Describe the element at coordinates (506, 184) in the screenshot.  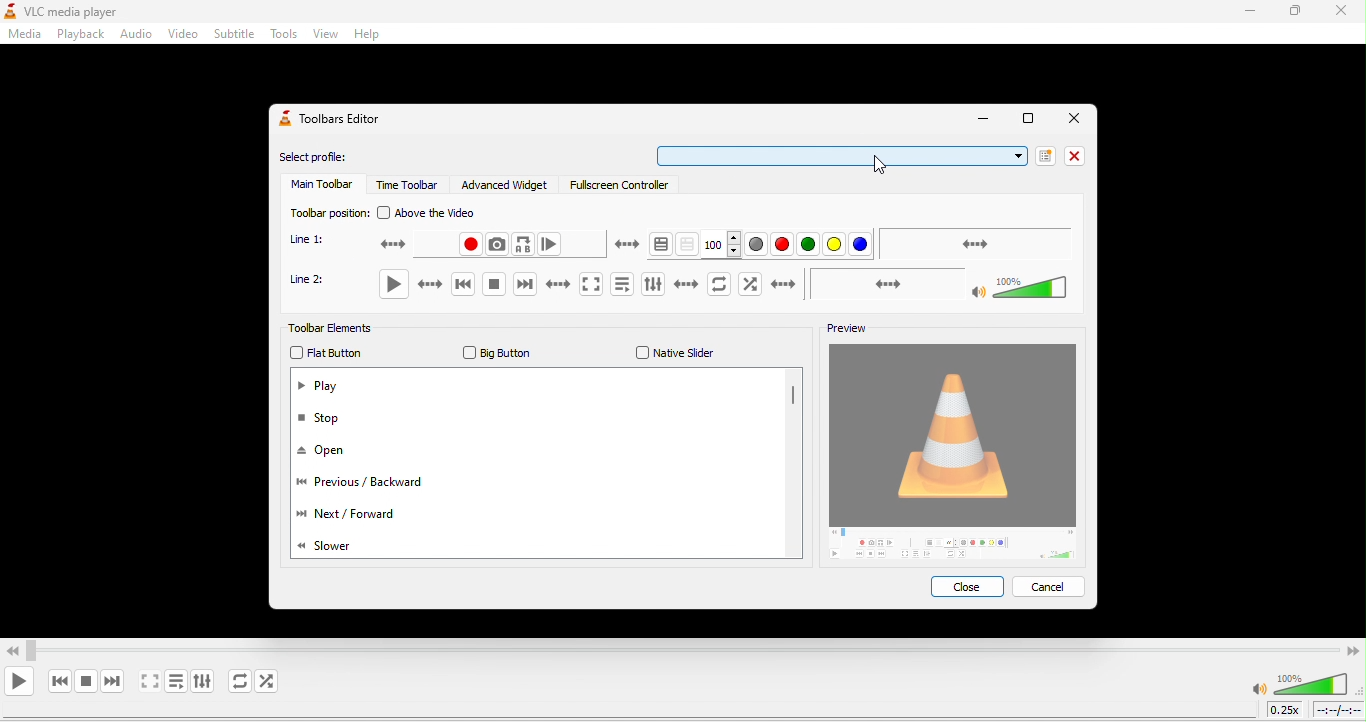
I see `advanced wdget` at that location.